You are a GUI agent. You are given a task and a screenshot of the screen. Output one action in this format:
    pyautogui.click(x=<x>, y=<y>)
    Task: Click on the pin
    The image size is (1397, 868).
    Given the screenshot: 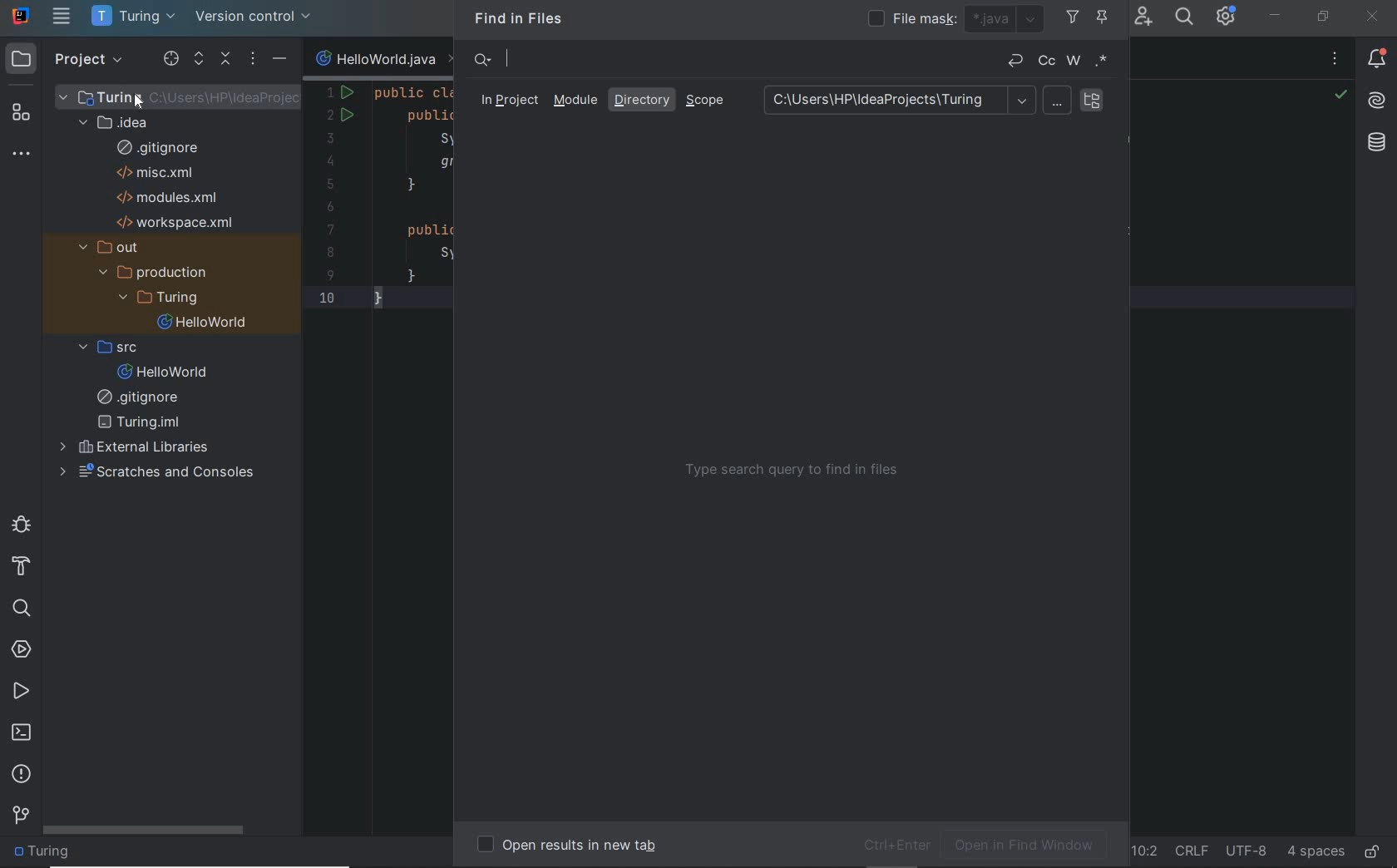 What is the action you would take?
    pyautogui.click(x=1109, y=21)
    